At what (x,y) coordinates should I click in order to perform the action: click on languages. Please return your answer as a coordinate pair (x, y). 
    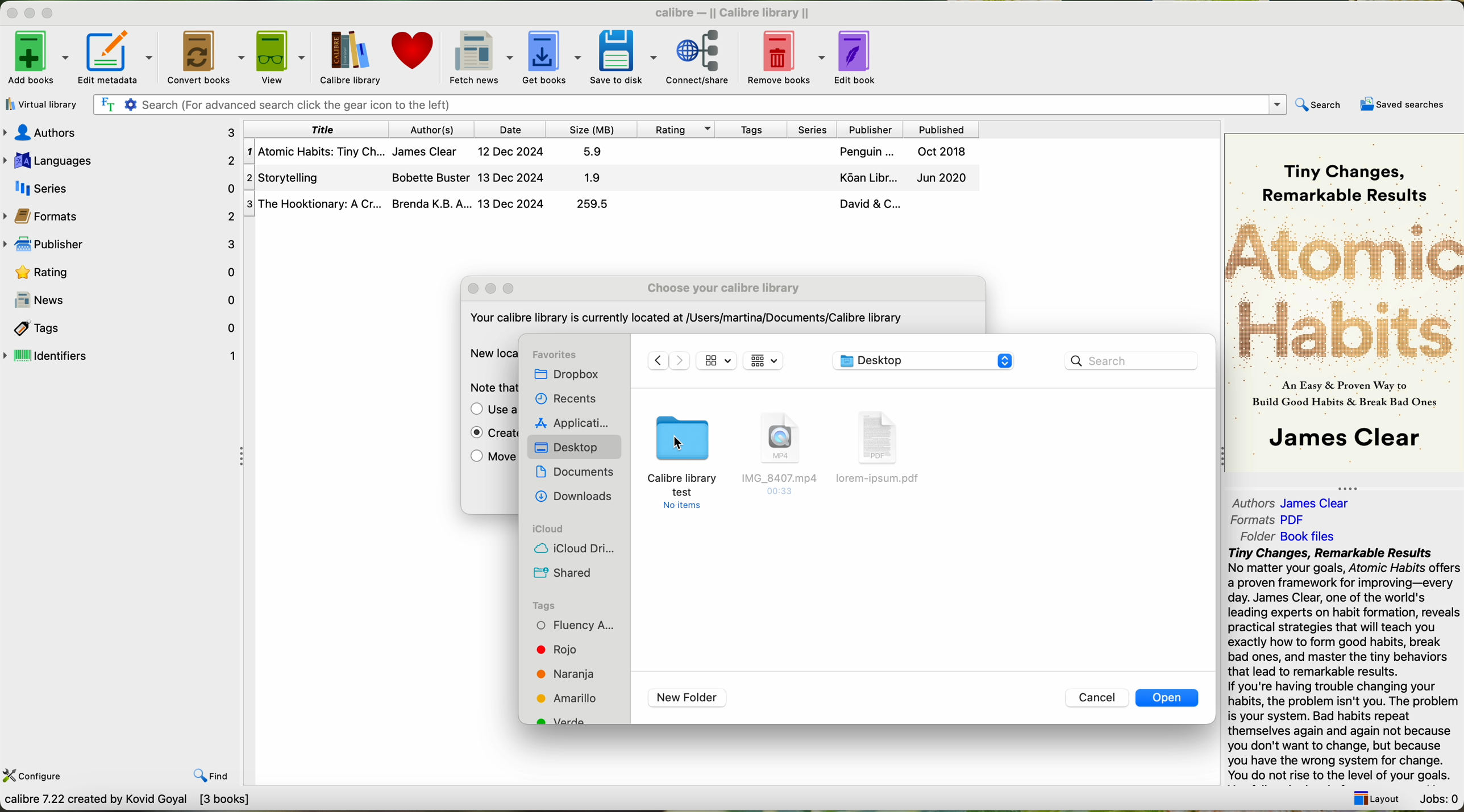
    Looking at the image, I should click on (120, 159).